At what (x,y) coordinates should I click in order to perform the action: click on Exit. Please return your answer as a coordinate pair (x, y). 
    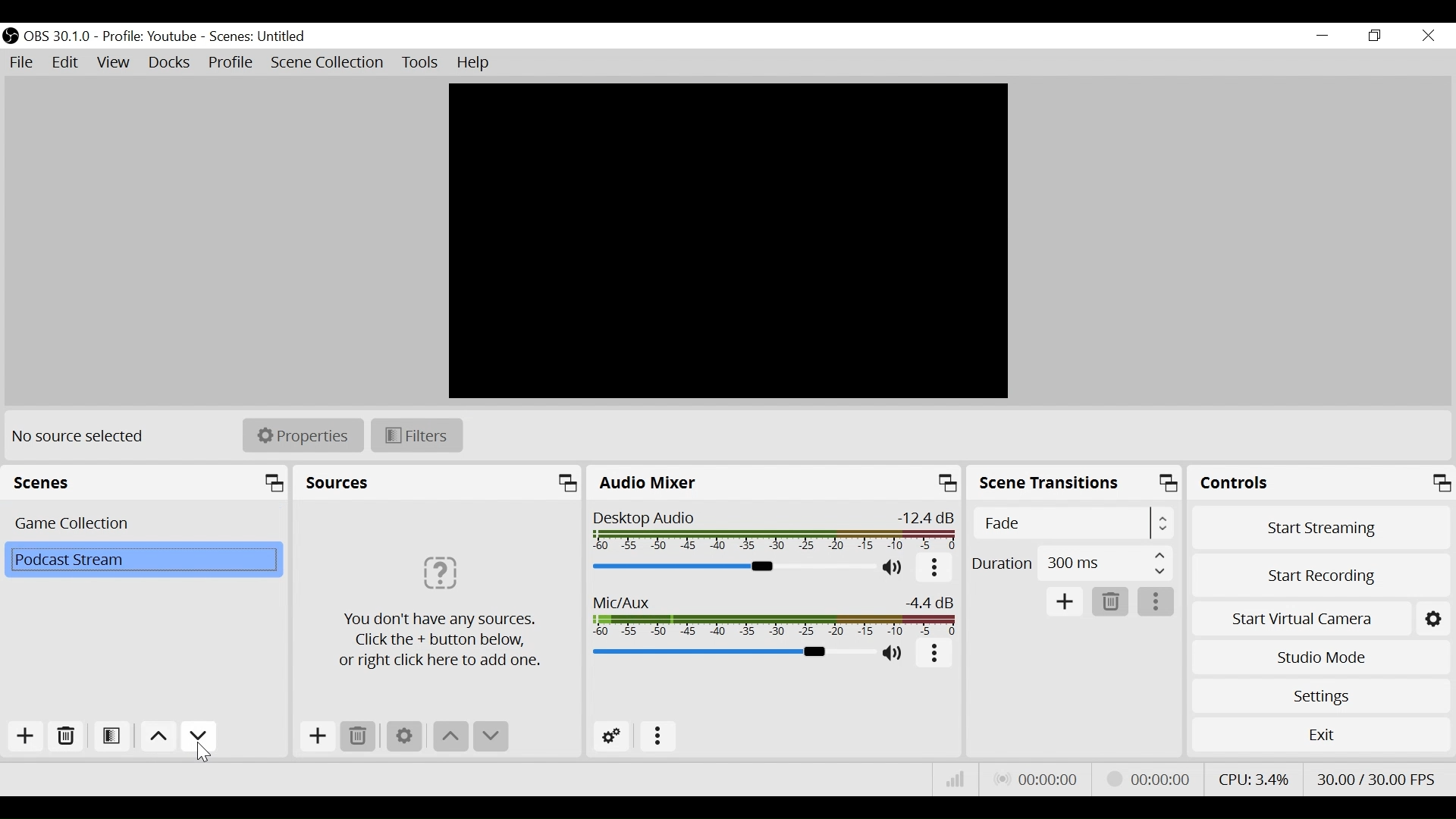
    Looking at the image, I should click on (1321, 734).